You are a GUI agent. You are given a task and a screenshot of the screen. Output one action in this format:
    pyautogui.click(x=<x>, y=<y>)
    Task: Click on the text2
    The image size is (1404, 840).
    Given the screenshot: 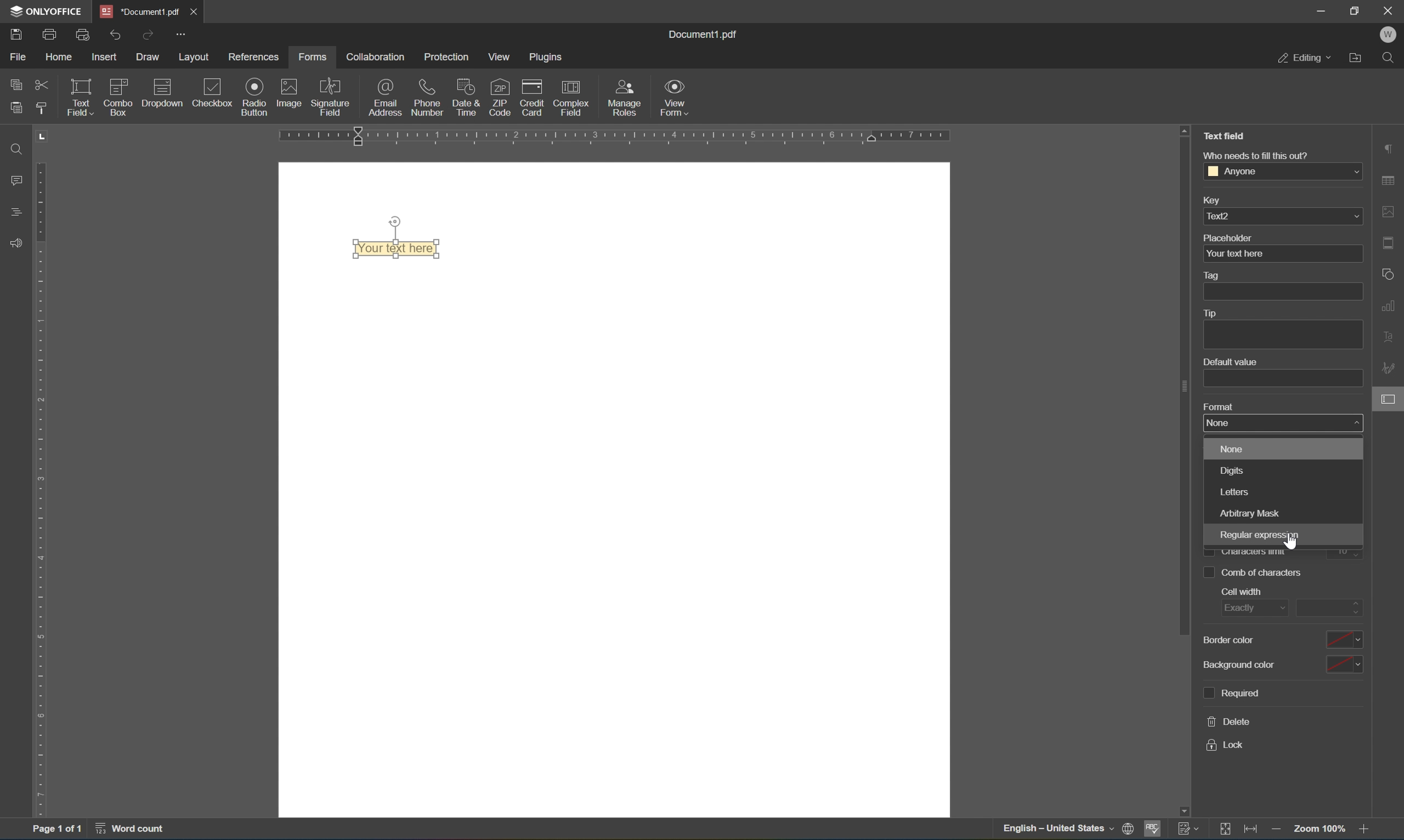 What is the action you would take?
    pyautogui.click(x=1281, y=216)
    